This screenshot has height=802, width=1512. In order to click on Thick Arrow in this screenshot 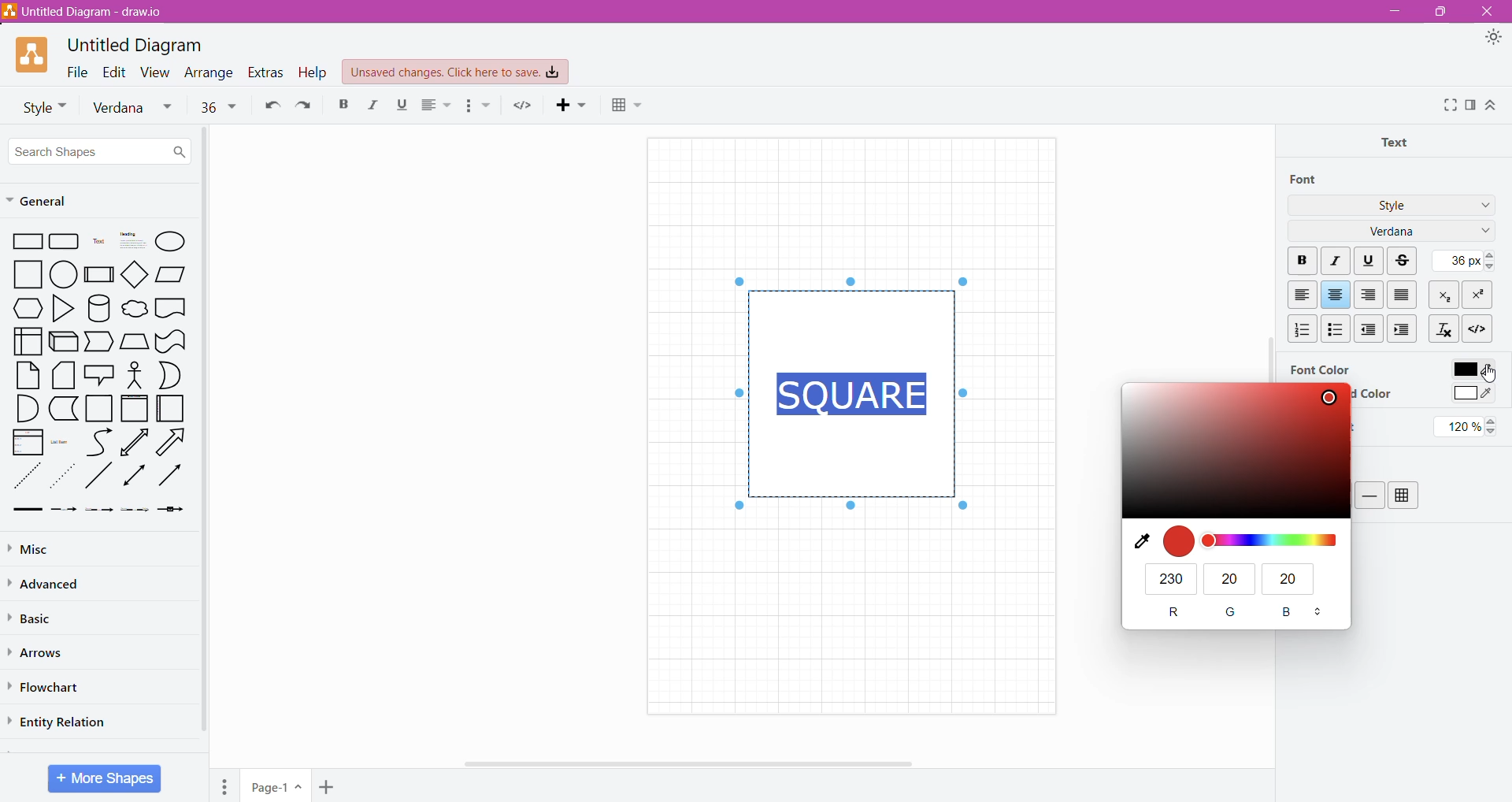, I will do `click(23, 510)`.